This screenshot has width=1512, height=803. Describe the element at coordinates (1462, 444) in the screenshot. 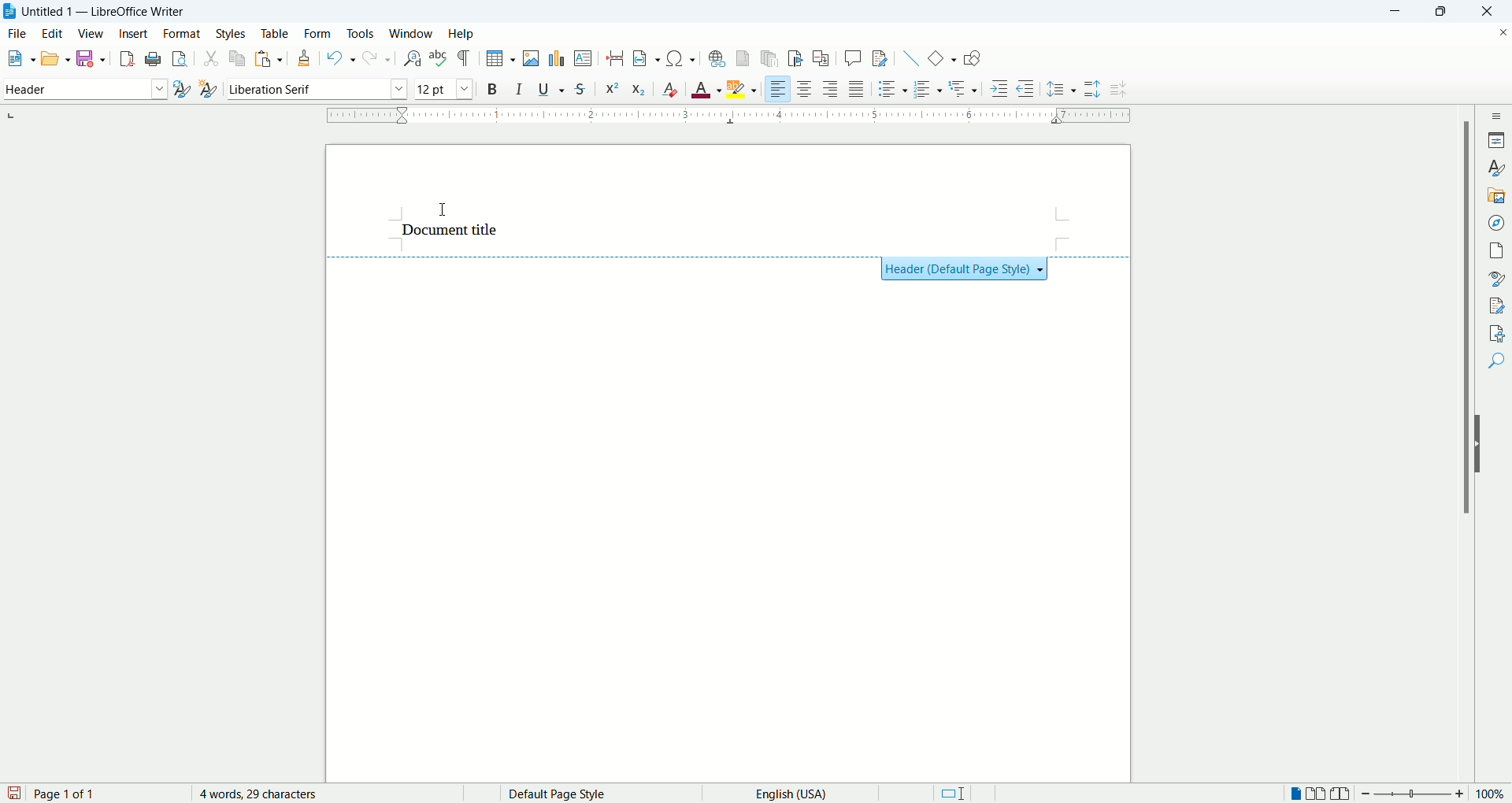

I see `vertical scroll bar` at that location.